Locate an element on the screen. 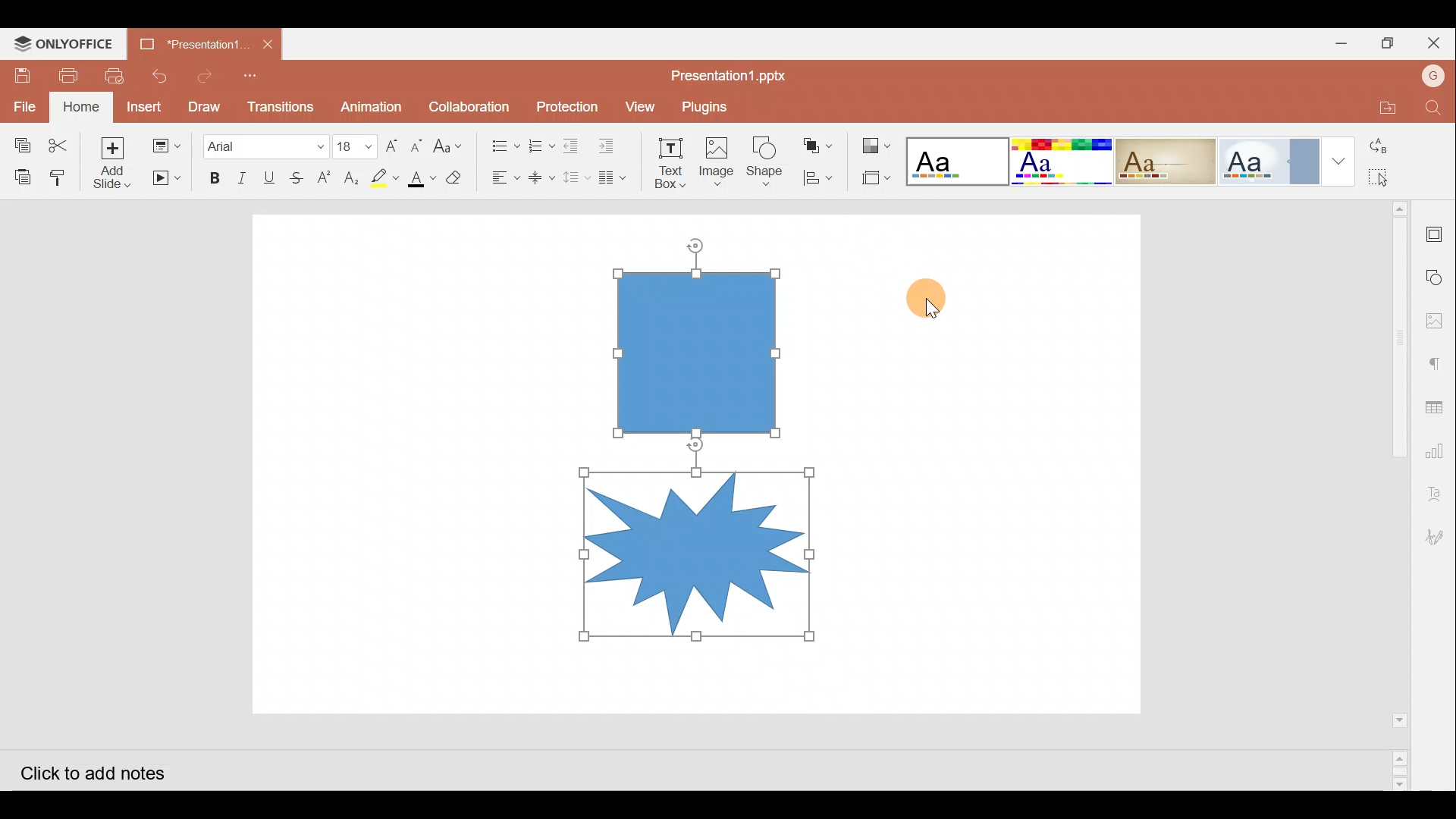  Insert text box is located at coordinates (664, 158).